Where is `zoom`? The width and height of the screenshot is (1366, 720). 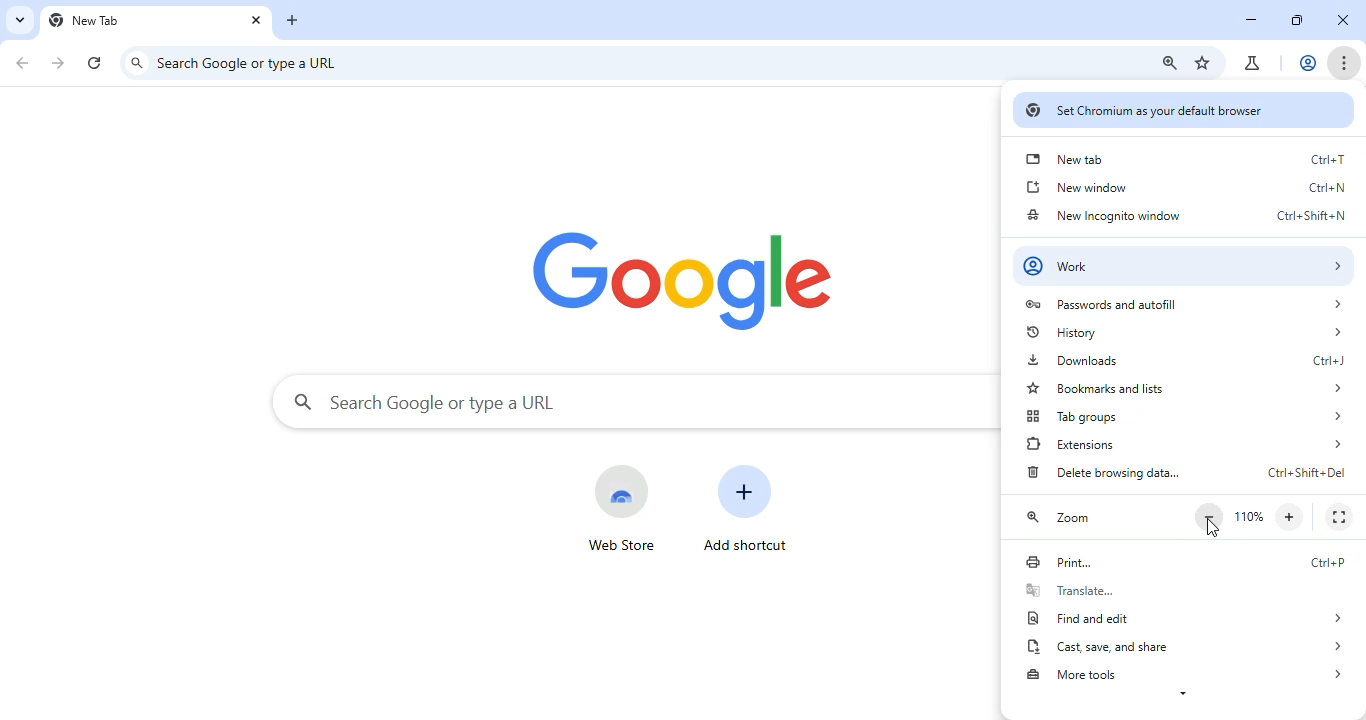
zoom is located at coordinates (1169, 63).